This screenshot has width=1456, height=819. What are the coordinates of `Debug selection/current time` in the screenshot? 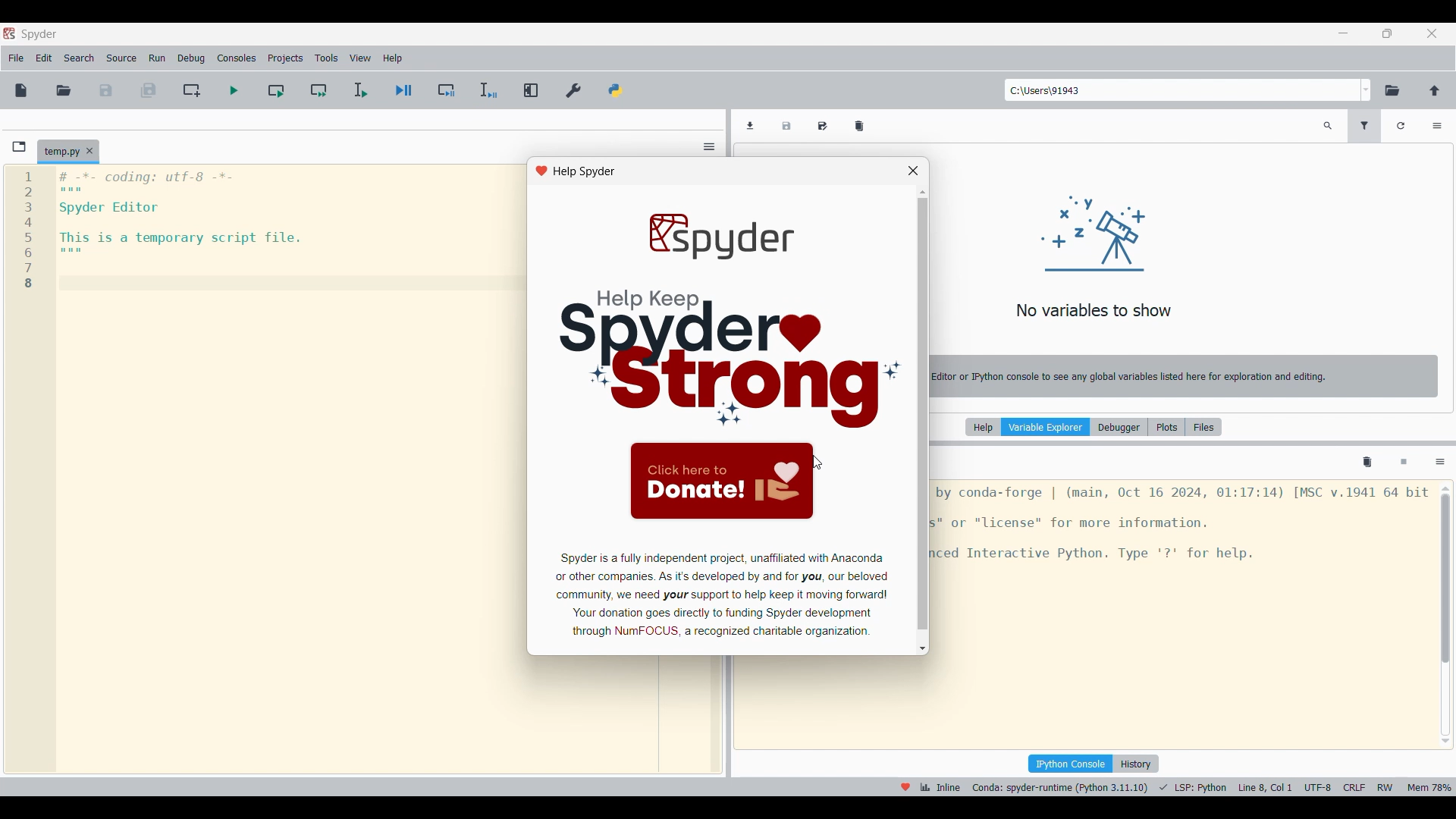 It's located at (488, 90).